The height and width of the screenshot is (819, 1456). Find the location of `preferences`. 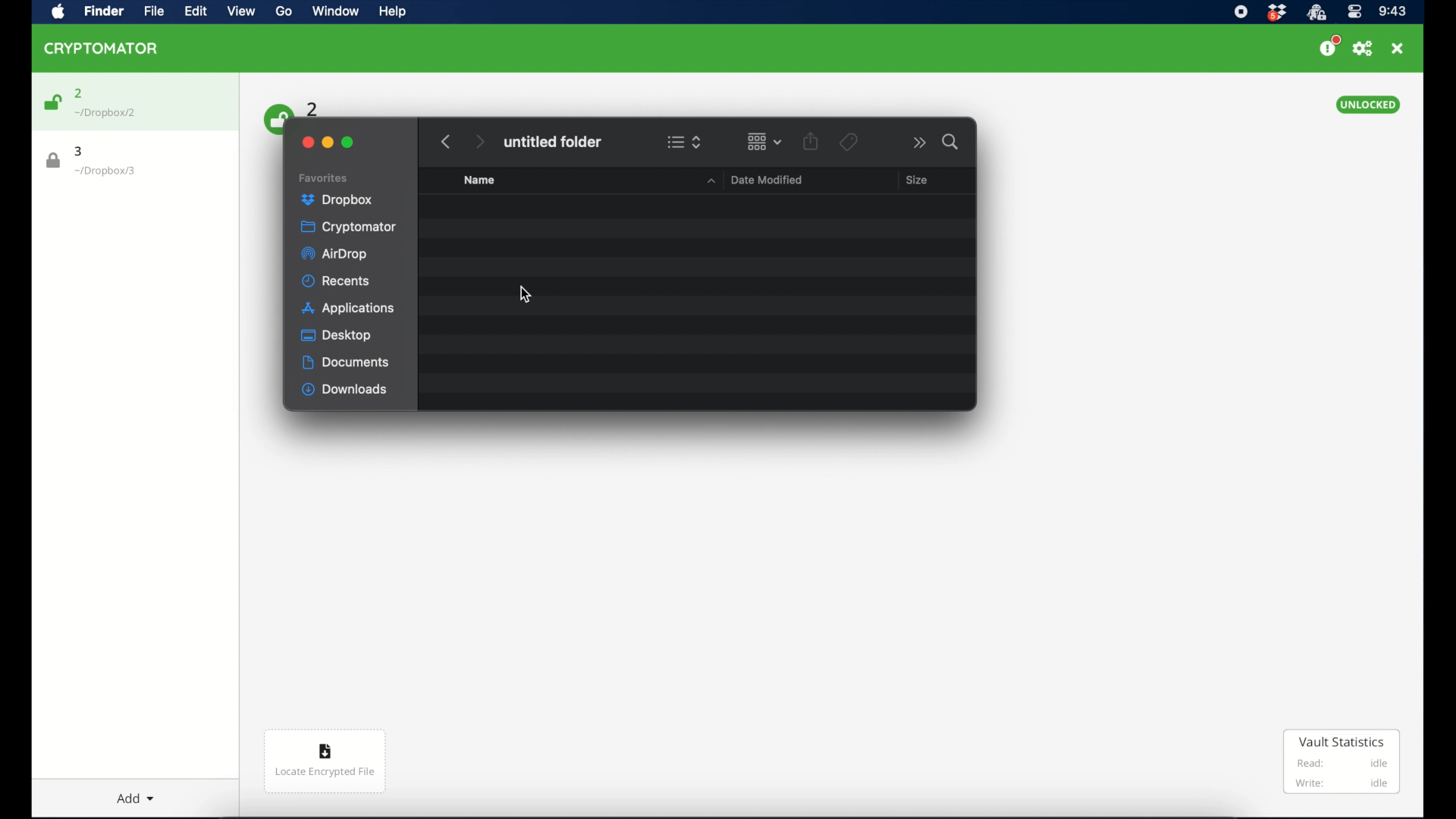

preferences is located at coordinates (1363, 49).